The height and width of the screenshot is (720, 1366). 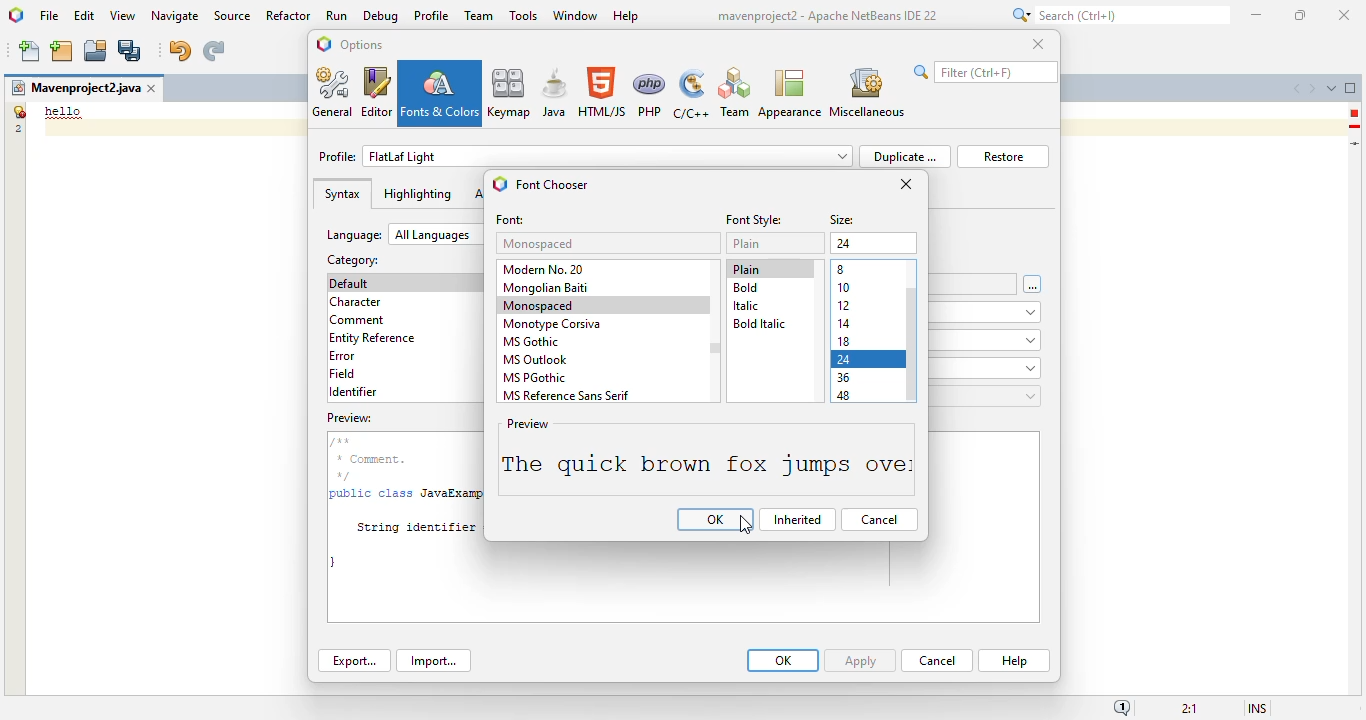 I want to click on current line, so click(x=1356, y=143).